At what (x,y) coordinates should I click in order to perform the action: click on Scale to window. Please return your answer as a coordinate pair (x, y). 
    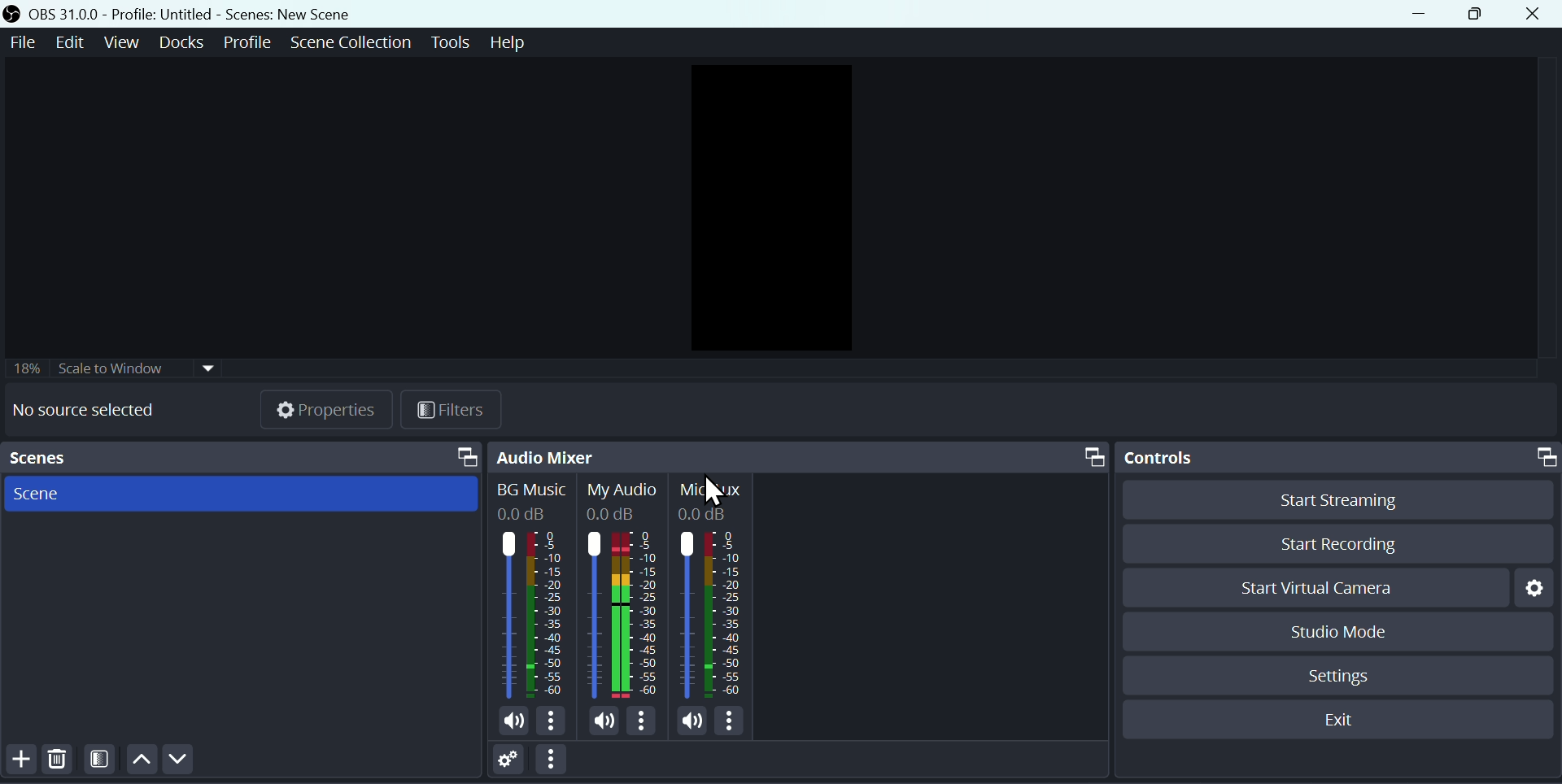
    Looking at the image, I should click on (111, 368).